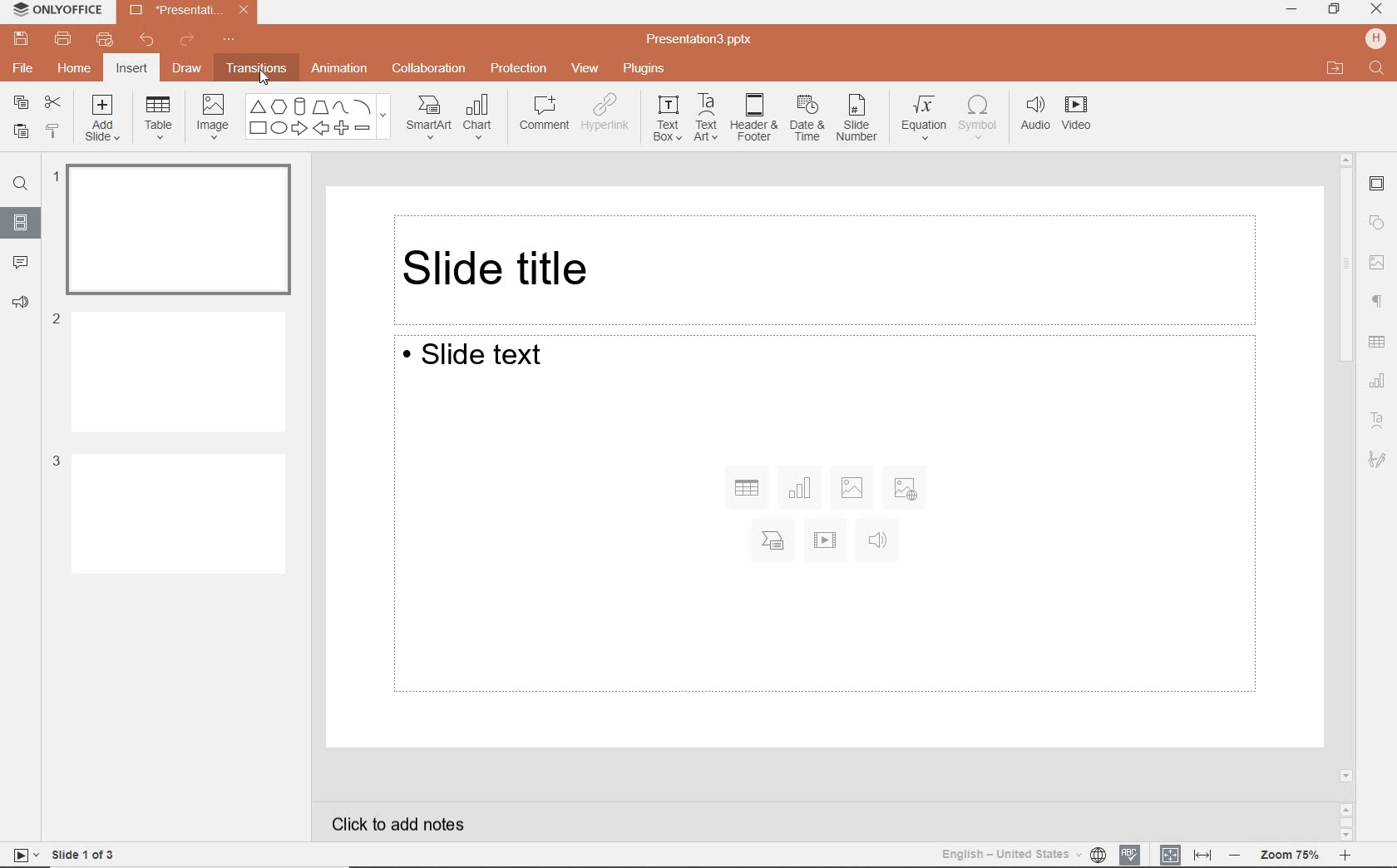  Describe the element at coordinates (22, 262) in the screenshot. I see `comment` at that location.